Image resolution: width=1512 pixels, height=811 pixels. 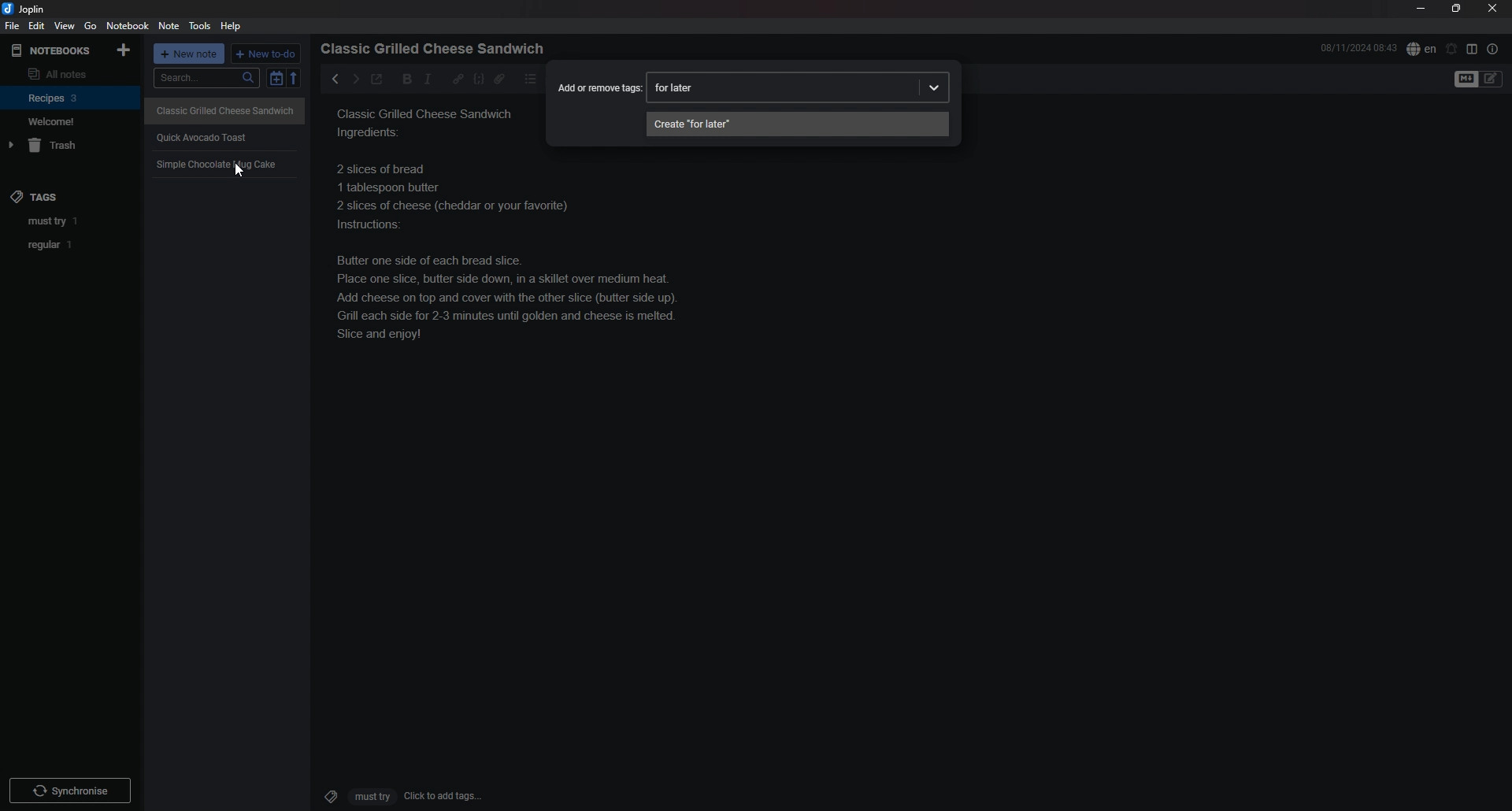 What do you see at coordinates (458, 78) in the screenshot?
I see `hyperlink` at bounding box center [458, 78].